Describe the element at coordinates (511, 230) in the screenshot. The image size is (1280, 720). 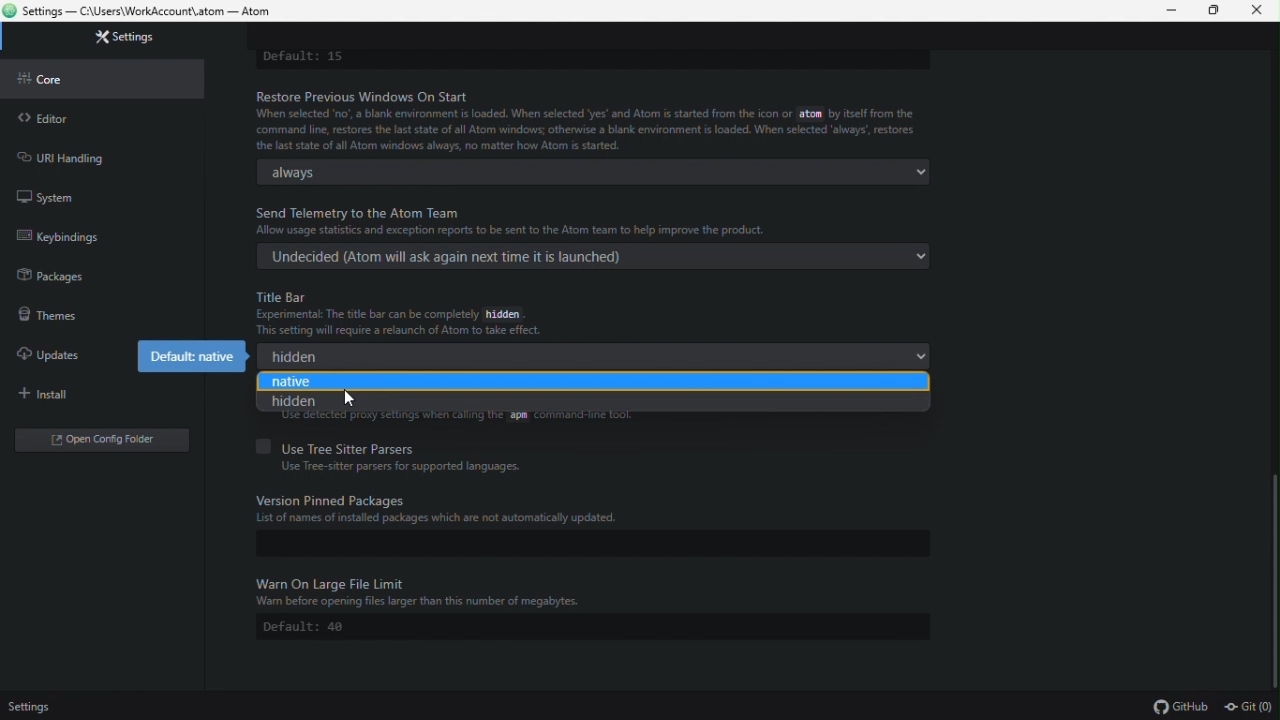
I see `Allow usage statistics and exception reports to be sent to the Atom team to help improve the product.` at that location.